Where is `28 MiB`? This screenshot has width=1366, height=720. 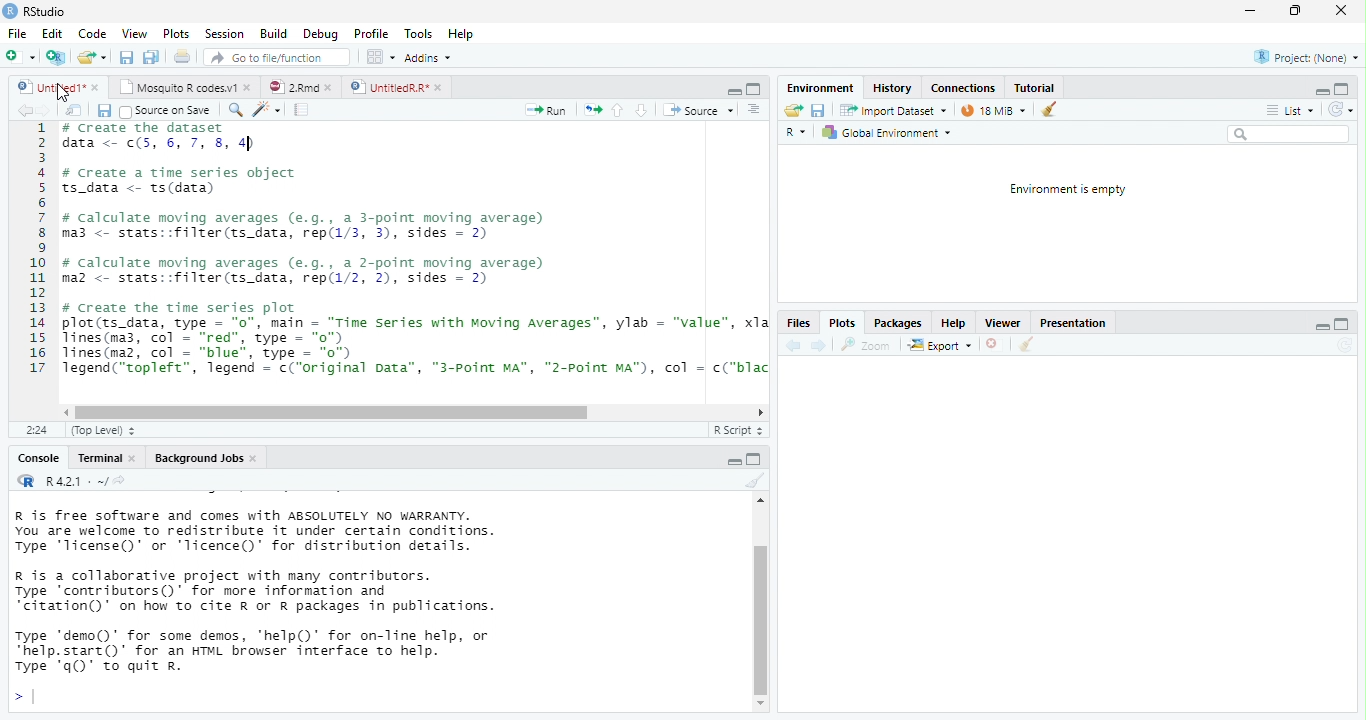
28 MiB is located at coordinates (992, 110).